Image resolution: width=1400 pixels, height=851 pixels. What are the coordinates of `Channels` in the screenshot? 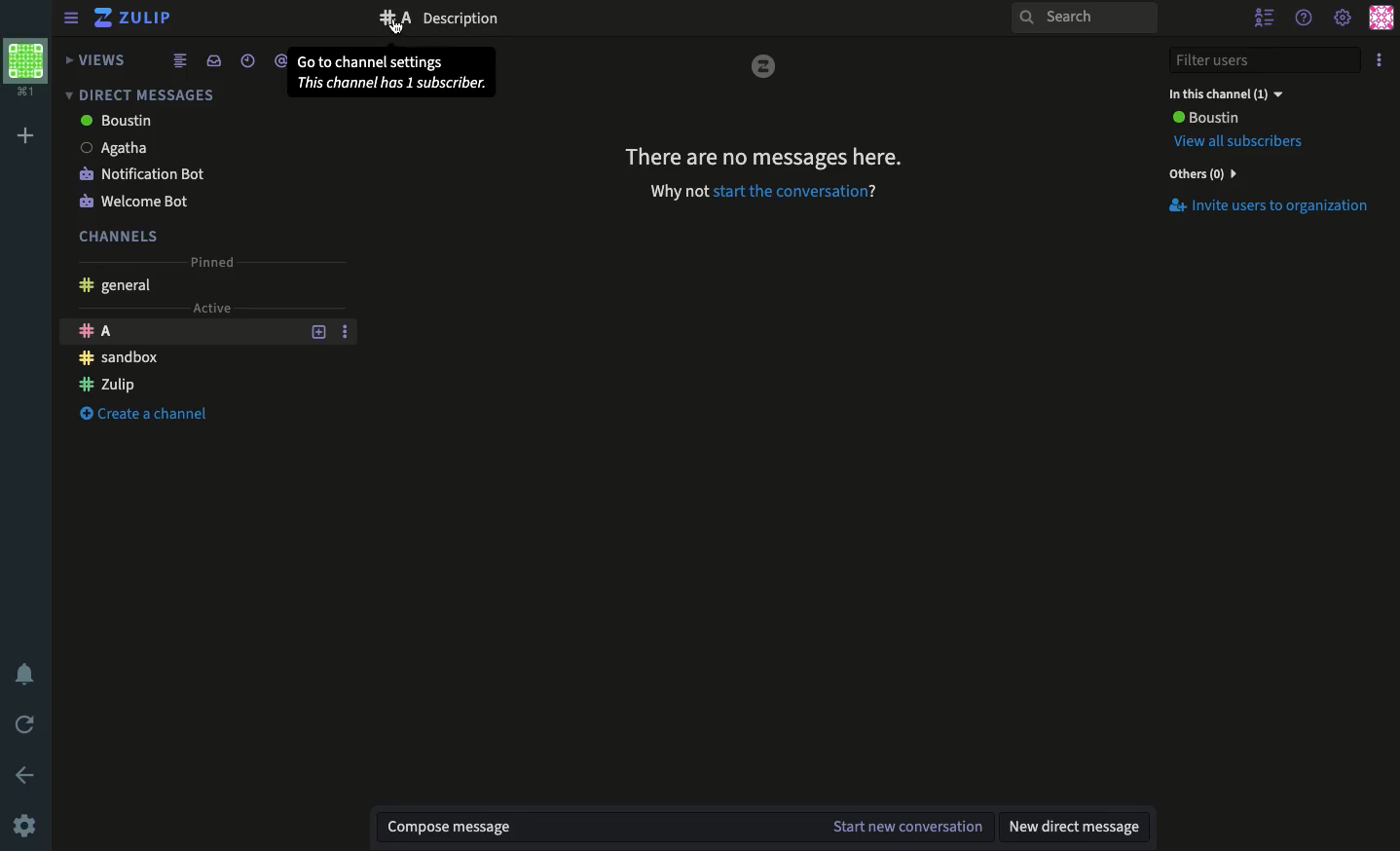 It's located at (121, 237).